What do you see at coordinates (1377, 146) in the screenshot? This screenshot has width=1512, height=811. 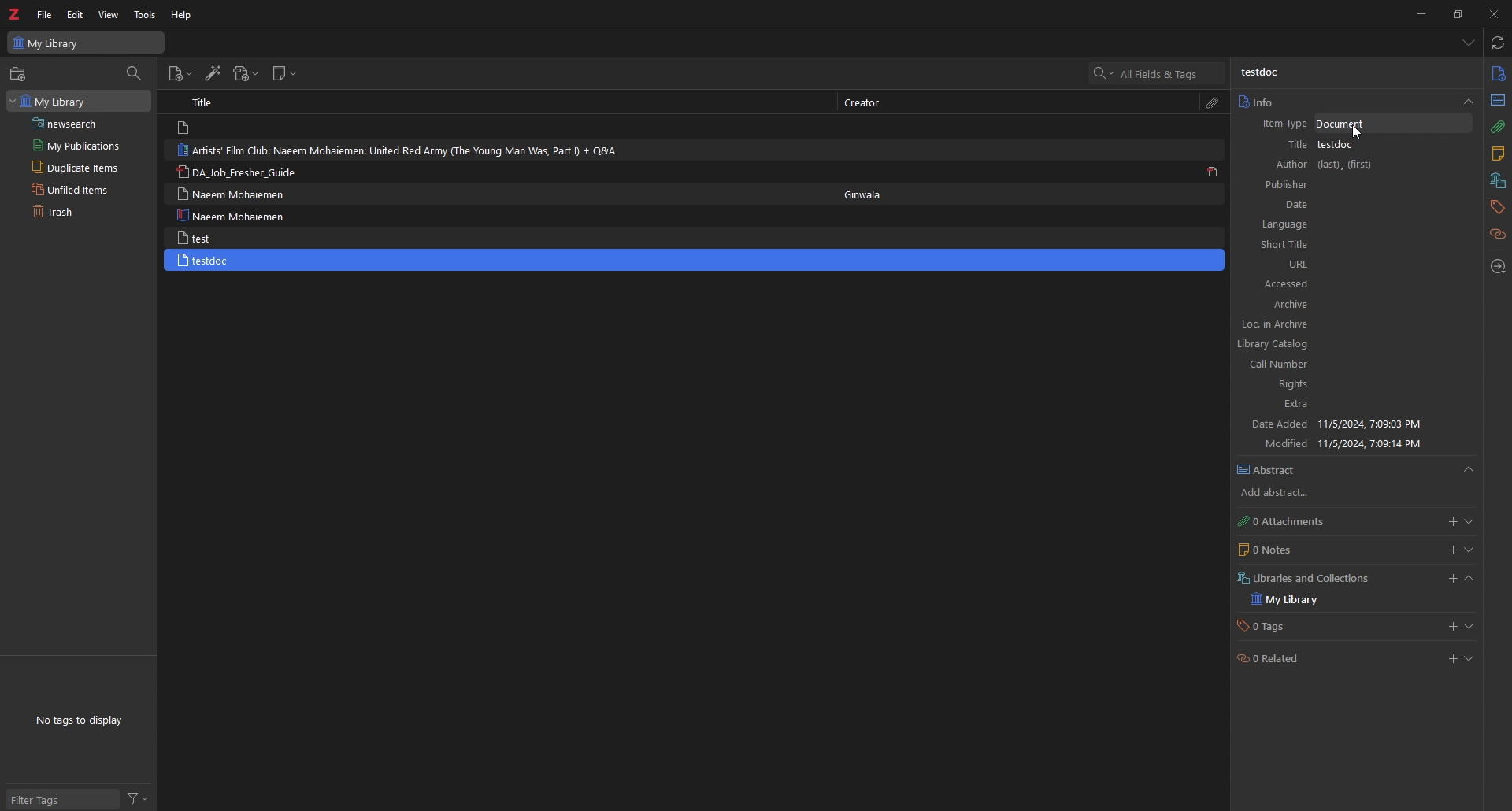 I see `testdoc` at bounding box center [1377, 146].